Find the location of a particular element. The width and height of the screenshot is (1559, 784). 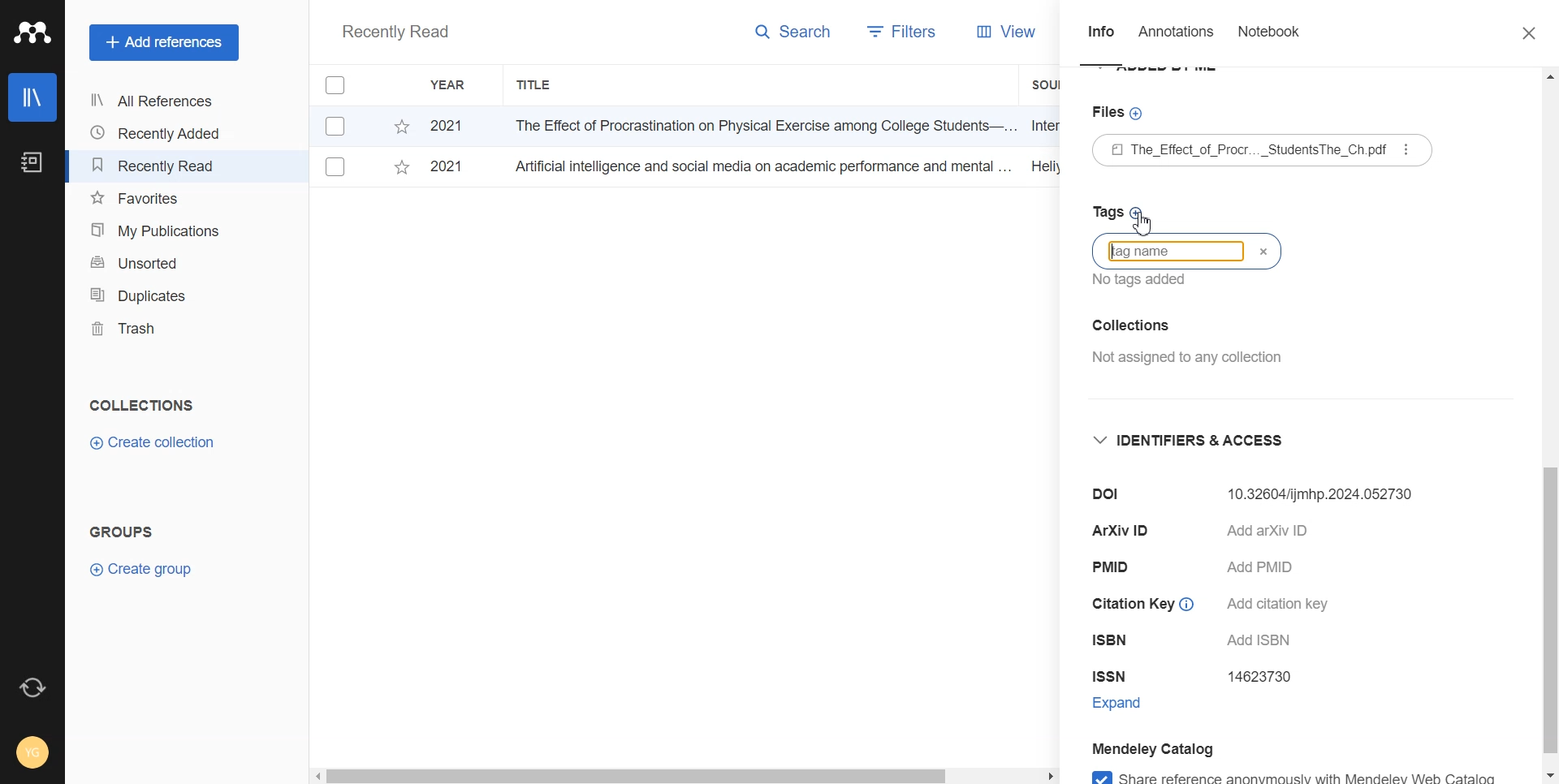

Account is located at coordinates (34, 751).